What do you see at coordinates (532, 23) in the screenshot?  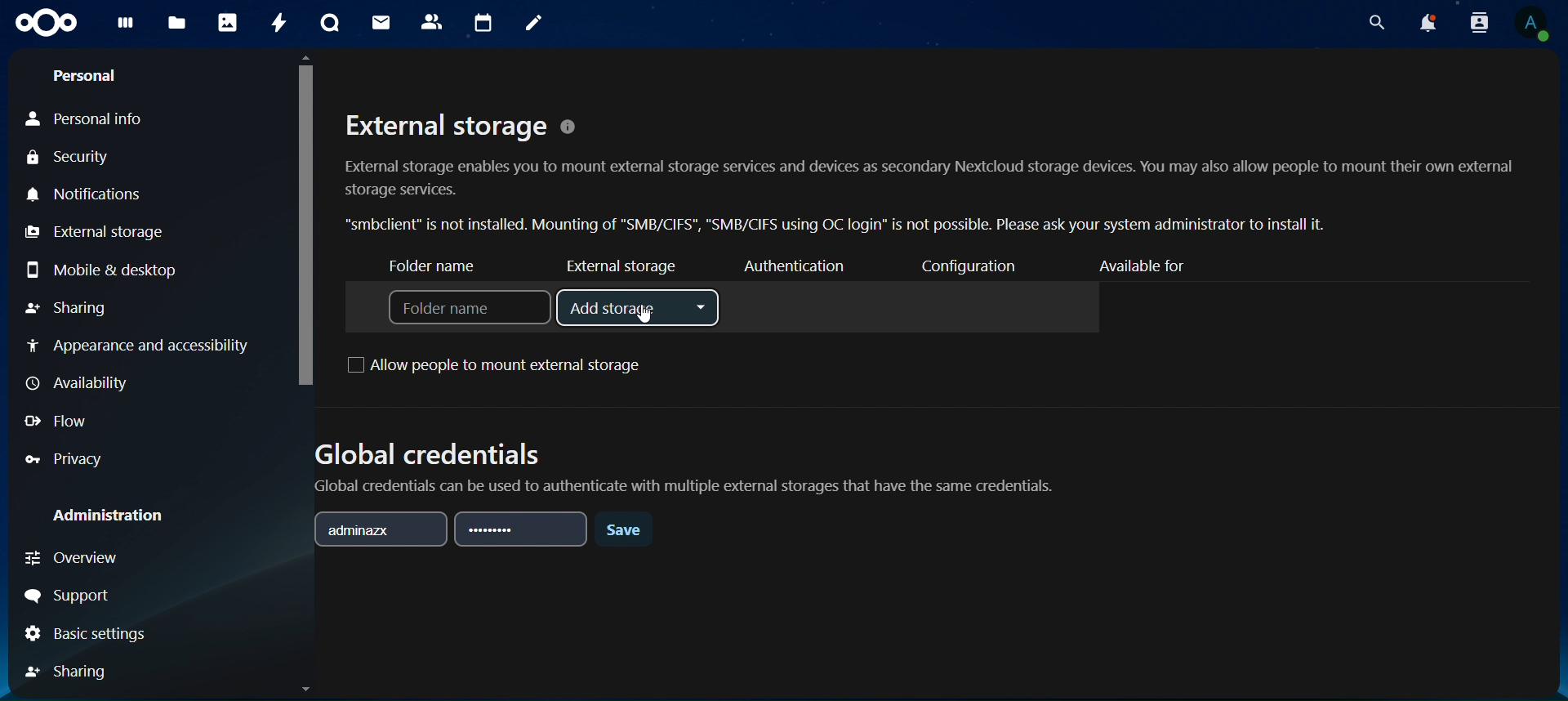 I see `notes` at bounding box center [532, 23].